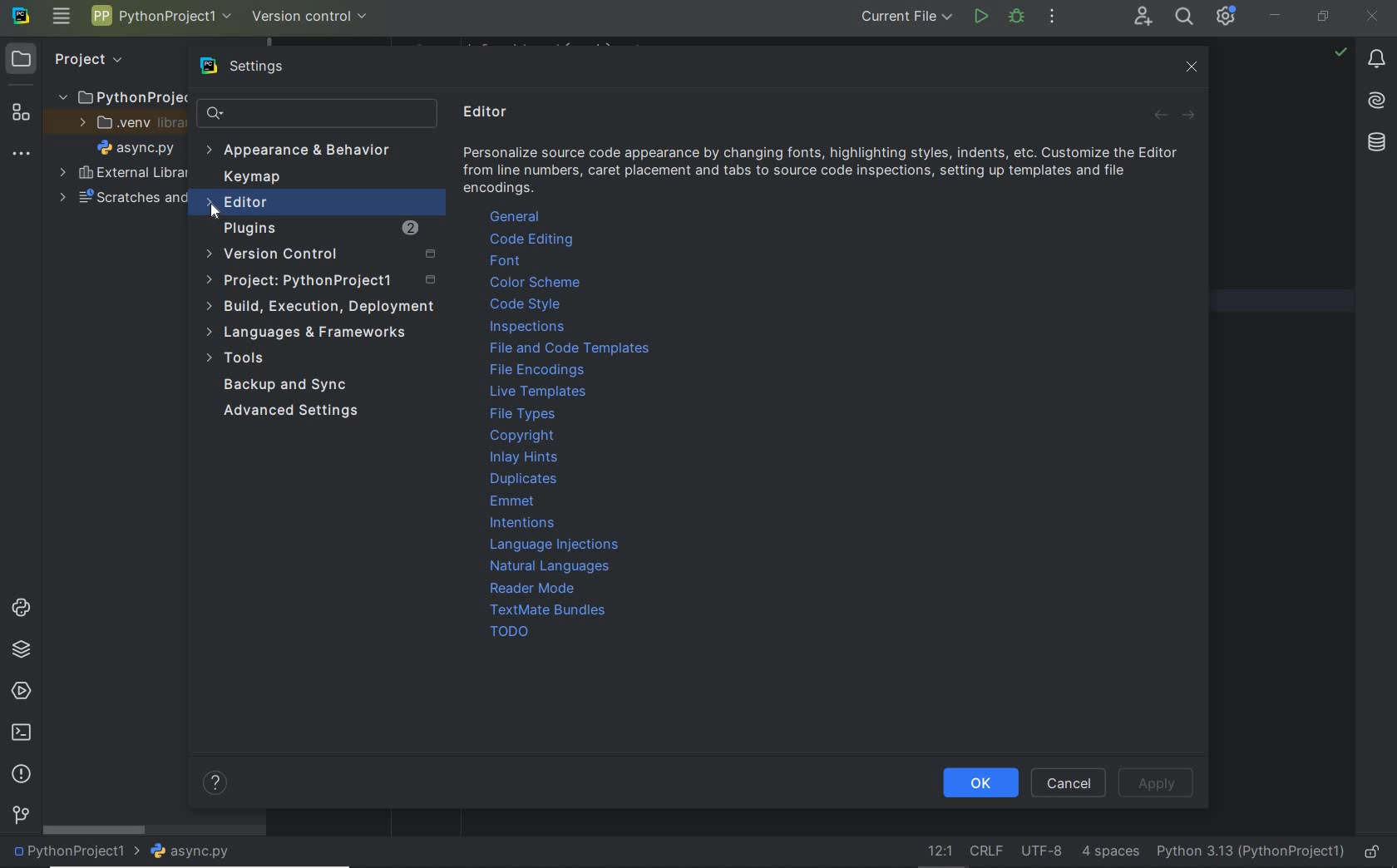 The width and height of the screenshot is (1397, 868). What do you see at coordinates (310, 17) in the screenshot?
I see `version control` at bounding box center [310, 17].